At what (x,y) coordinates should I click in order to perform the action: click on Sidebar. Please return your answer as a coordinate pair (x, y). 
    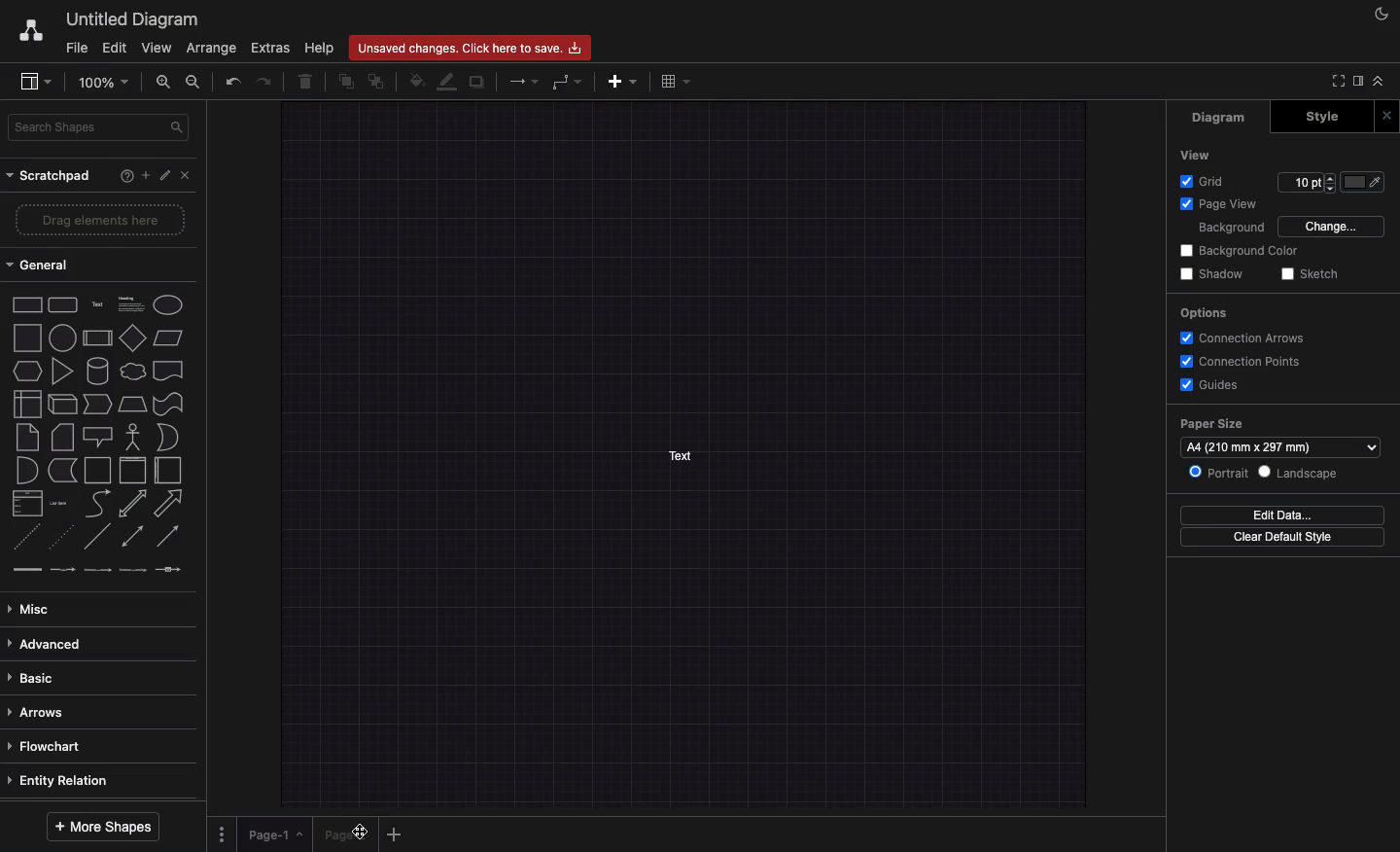
    Looking at the image, I should click on (1360, 82).